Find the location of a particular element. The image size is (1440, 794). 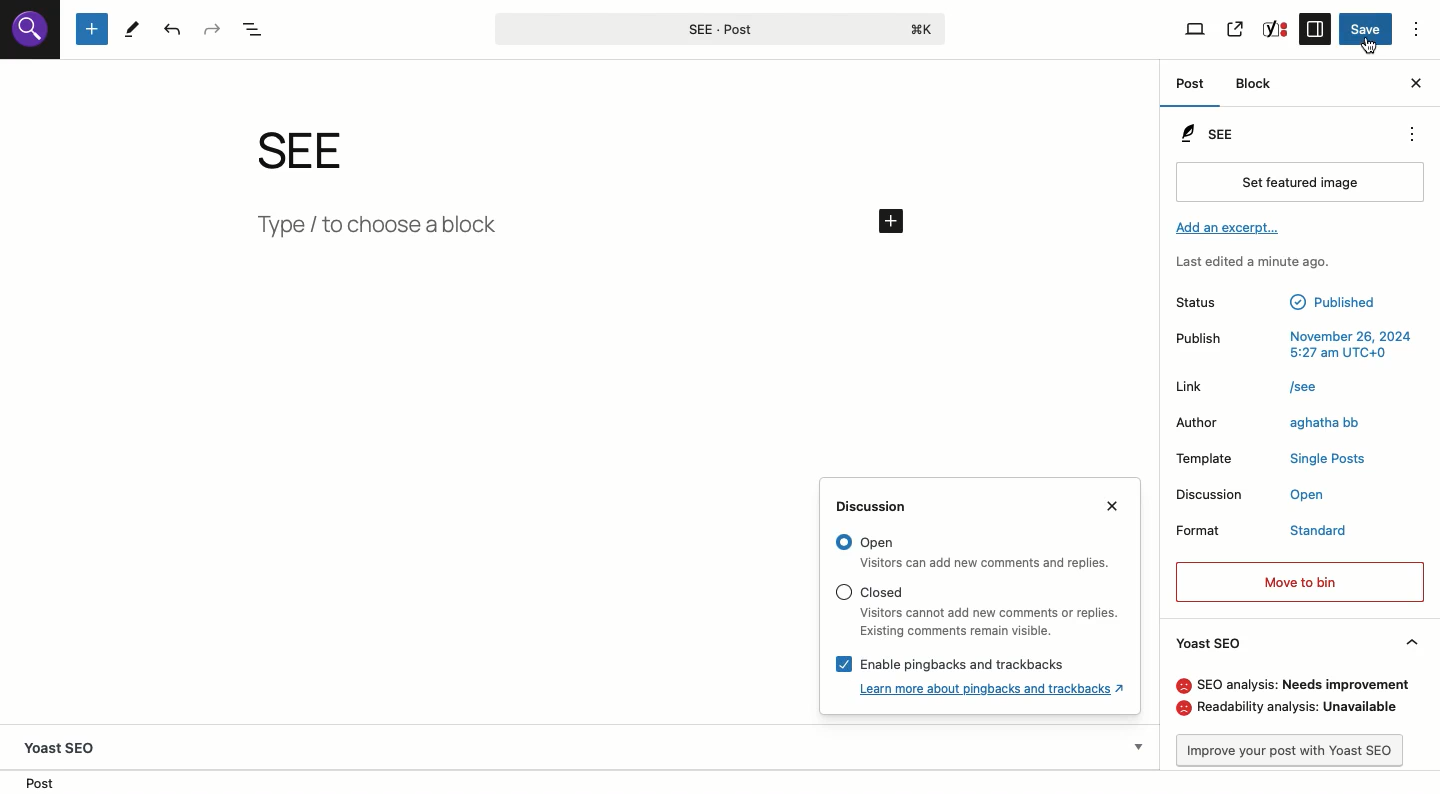

Location  is located at coordinates (43, 782).